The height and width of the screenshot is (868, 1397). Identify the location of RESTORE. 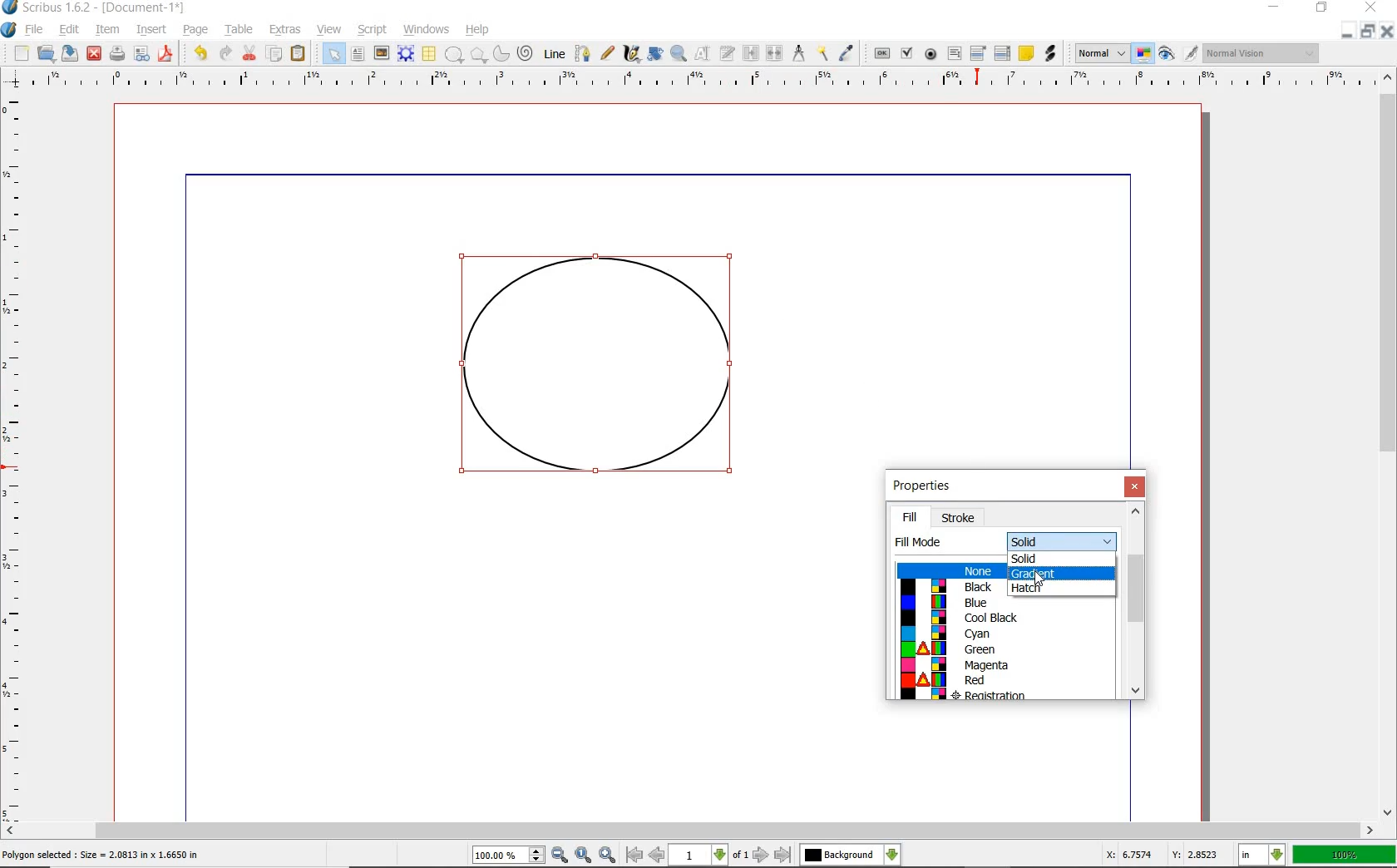
(1368, 32).